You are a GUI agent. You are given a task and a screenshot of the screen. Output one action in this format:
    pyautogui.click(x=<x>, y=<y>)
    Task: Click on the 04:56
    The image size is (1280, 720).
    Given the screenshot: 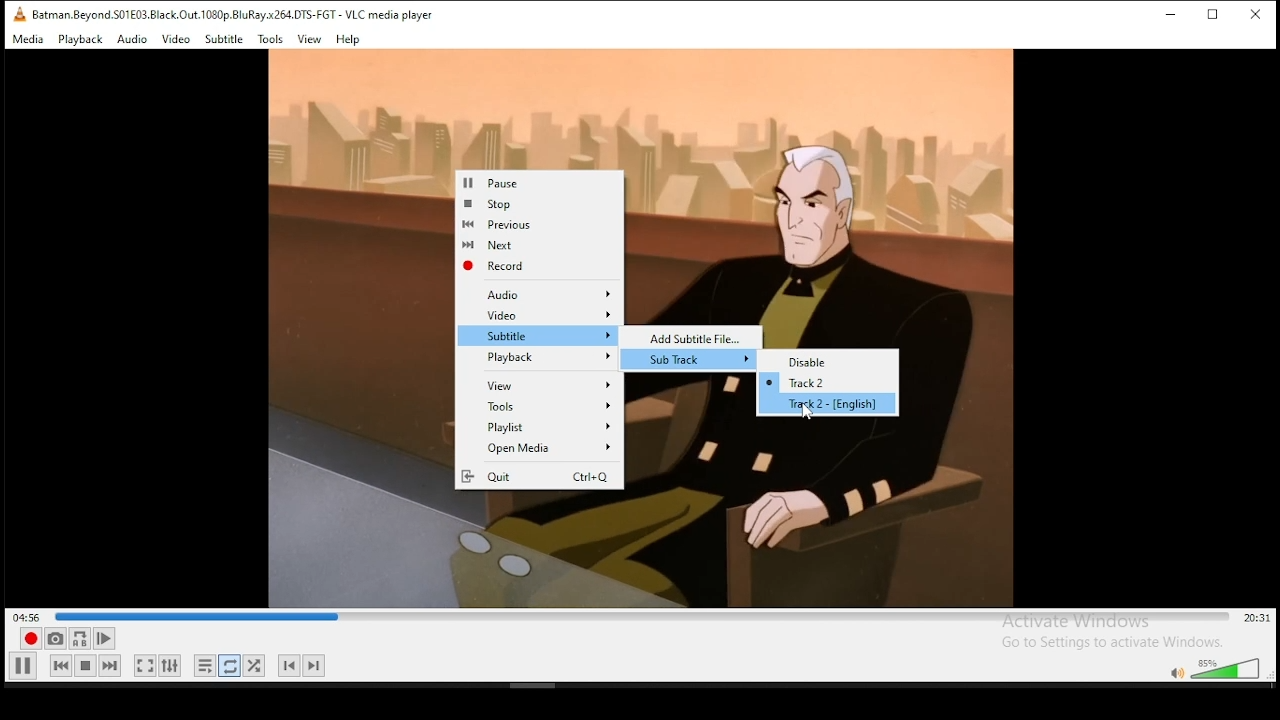 What is the action you would take?
    pyautogui.click(x=24, y=616)
    